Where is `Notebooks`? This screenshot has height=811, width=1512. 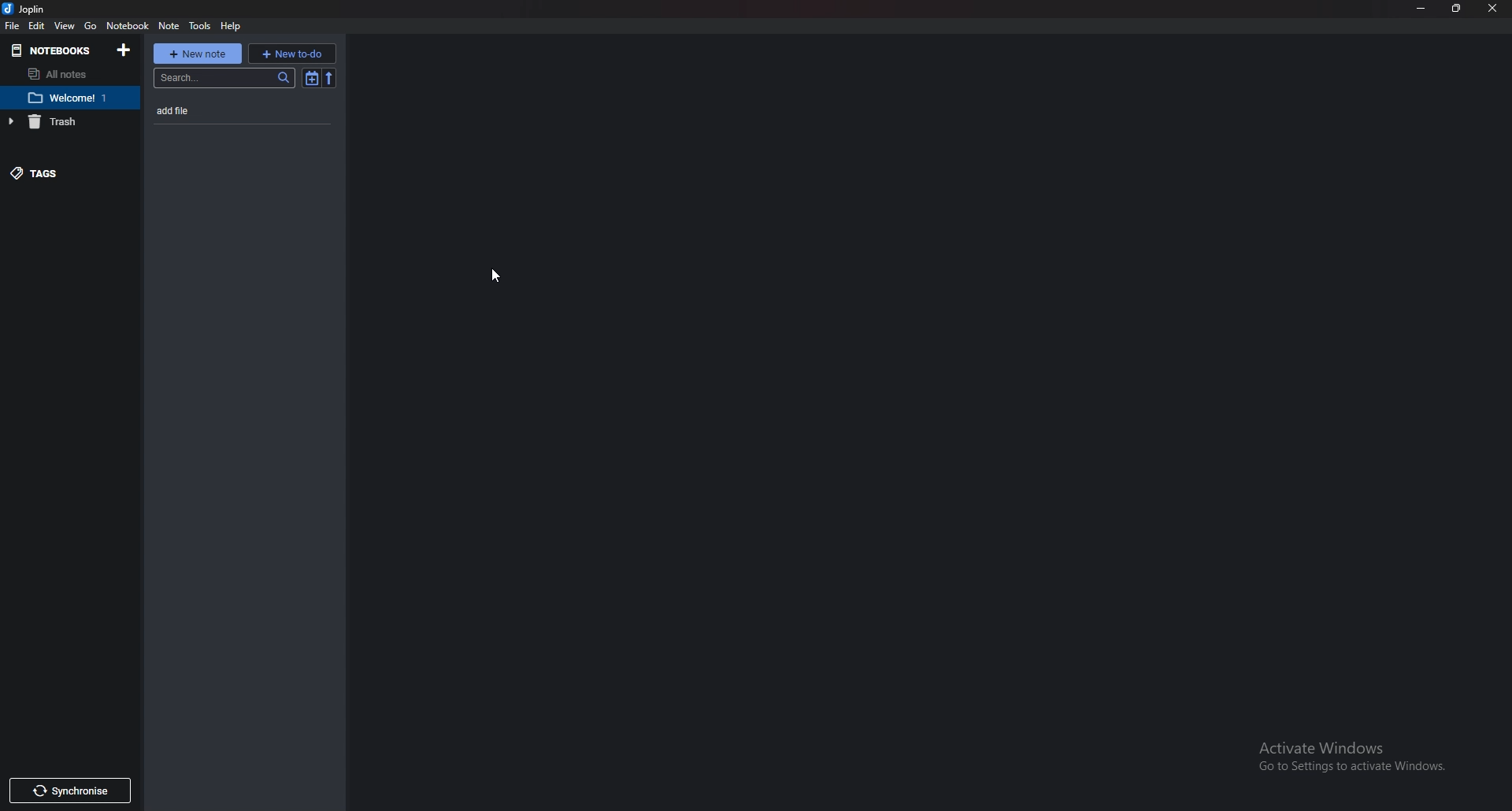
Notebooks is located at coordinates (53, 50).